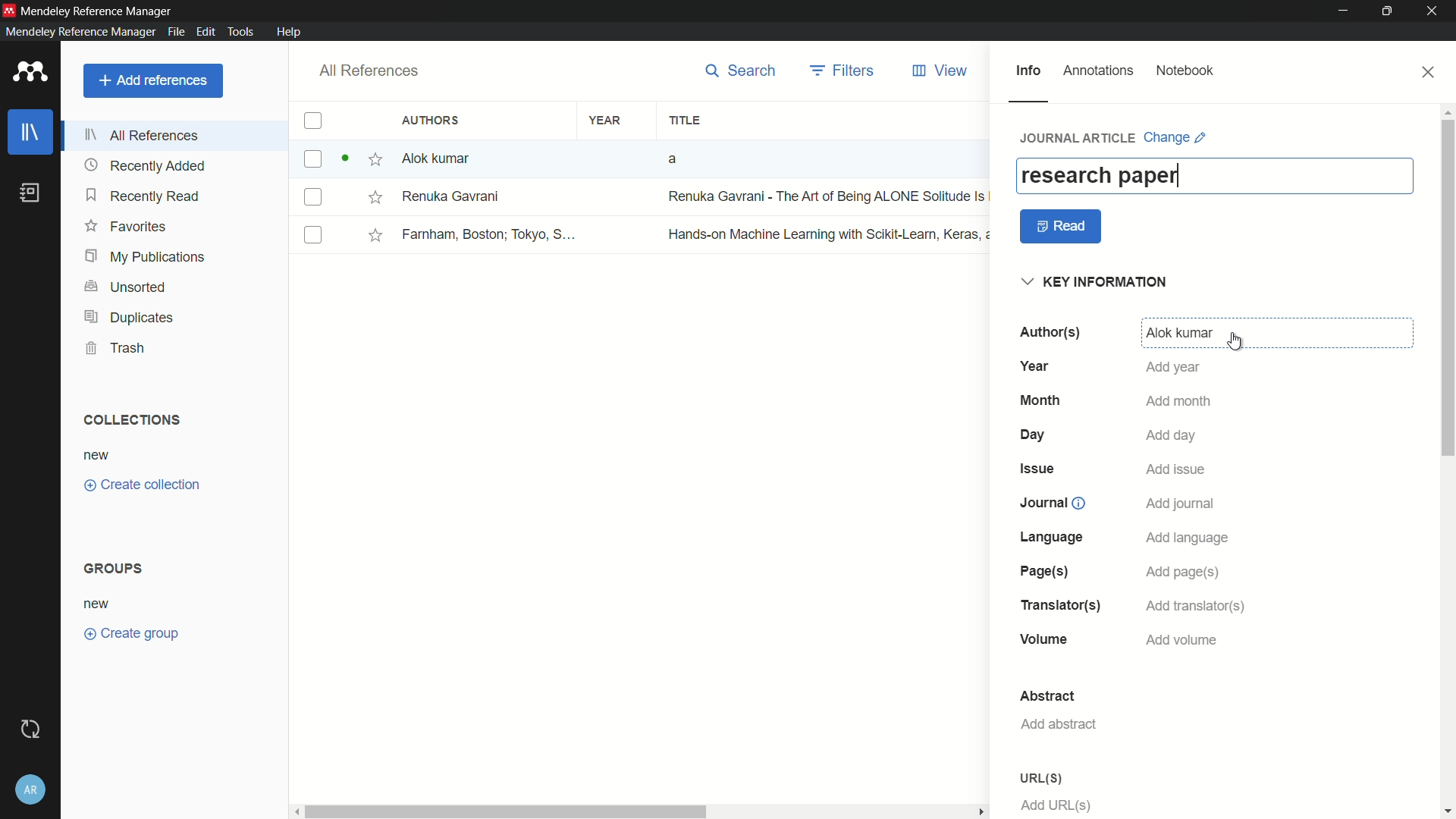 The image size is (1456, 819). What do you see at coordinates (204, 32) in the screenshot?
I see `edit menu` at bounding box center [204, 32].